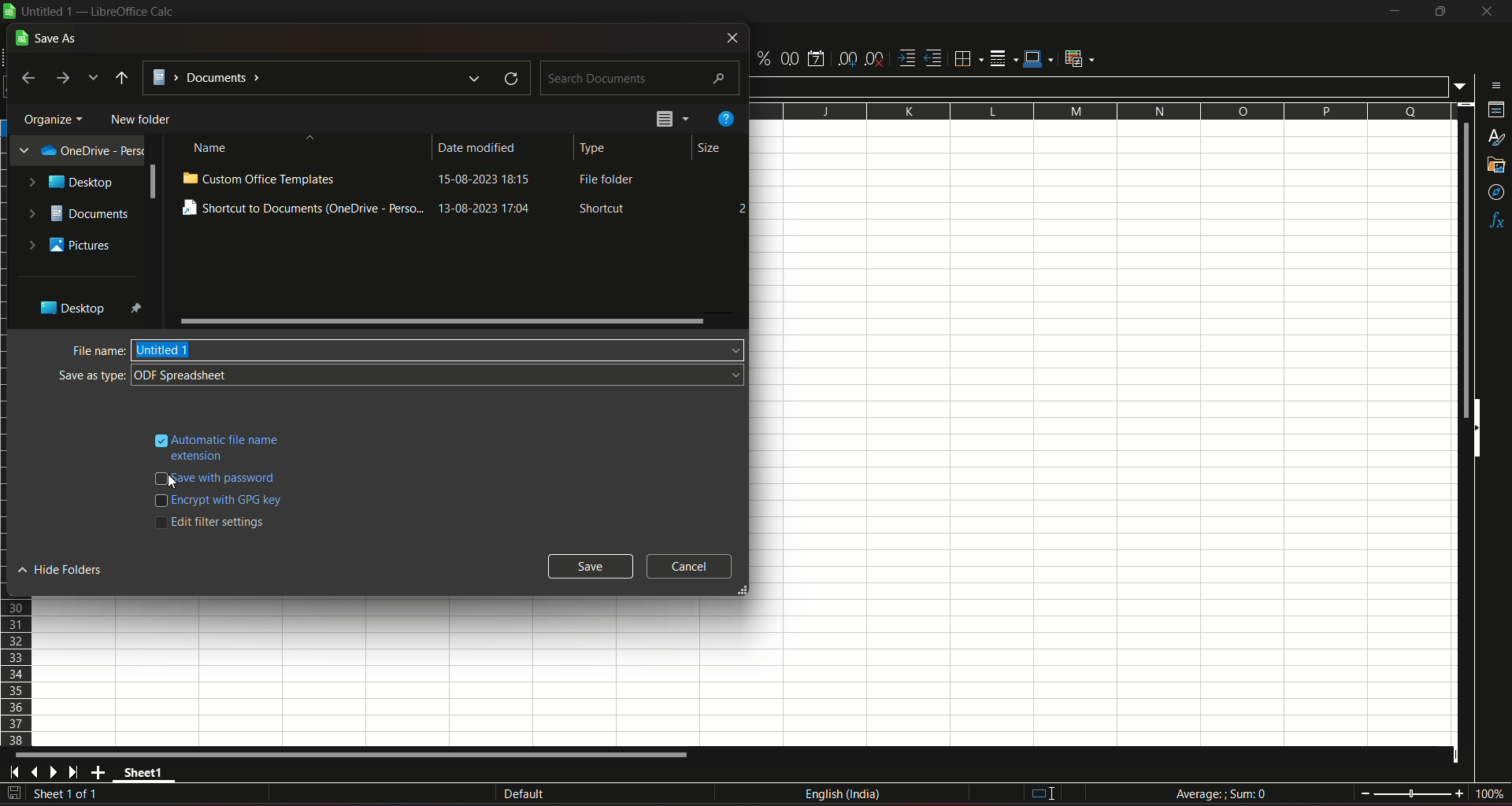  Describe the element at coordinates (1495, 192) in the screenshot. I see `navigator` at that location.